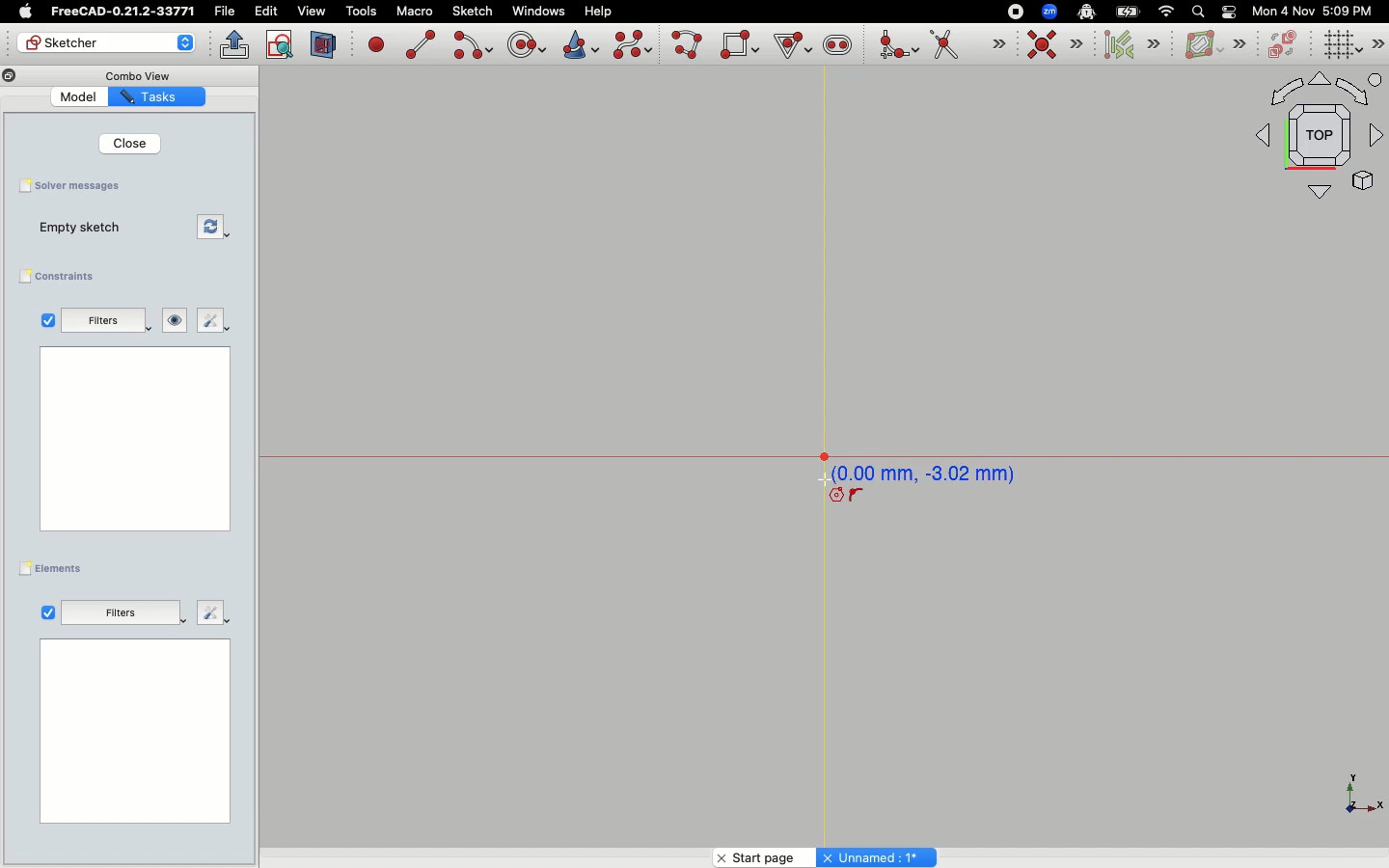 The height and width of the screenshot is (868, 1389). Describe the element at coordinates (848, 497) in the screenshot. I see `Cursor` at that location.